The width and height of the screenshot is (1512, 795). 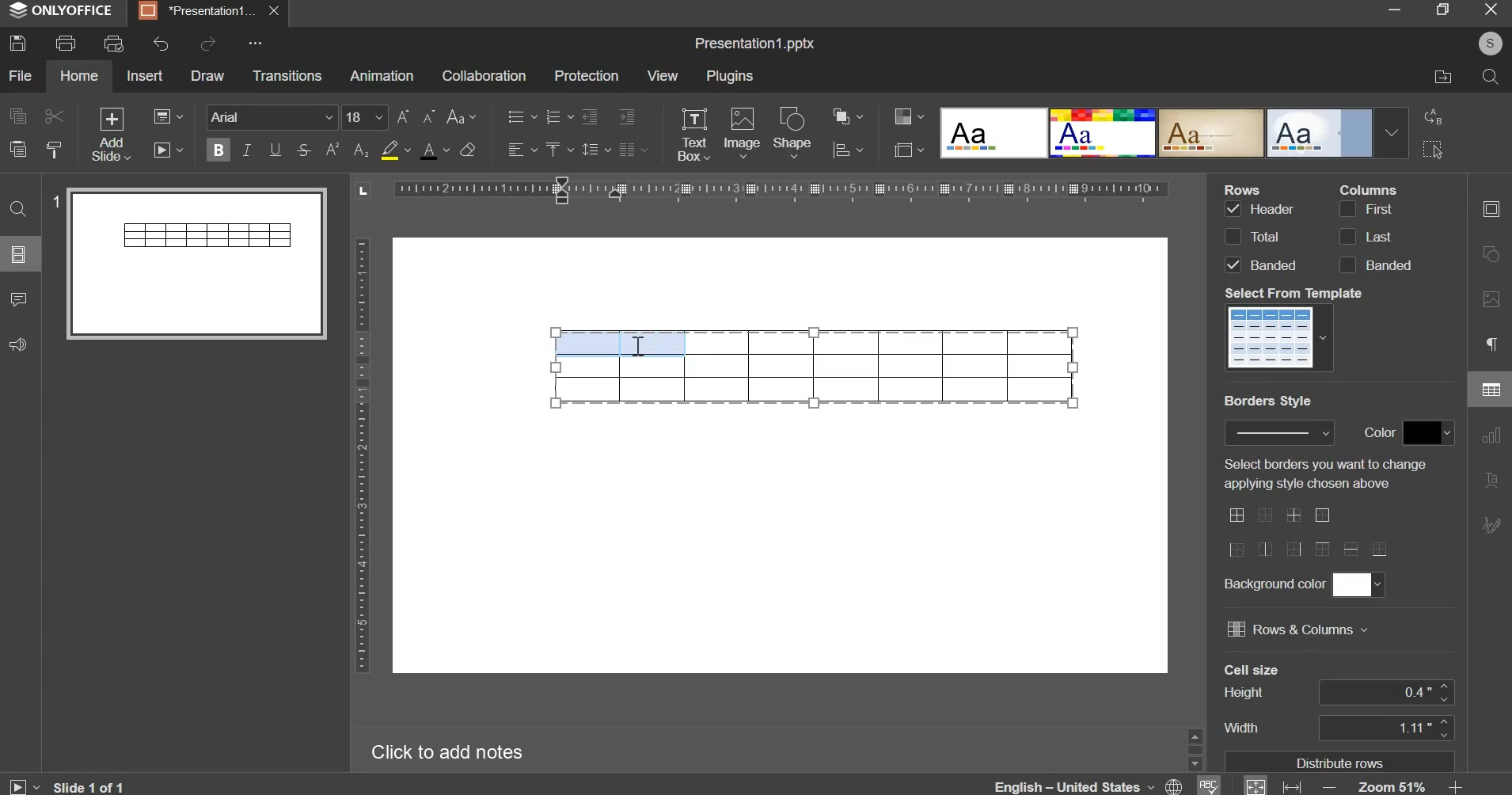 I want to click on horizontal scale, so click(x=762, y=192).